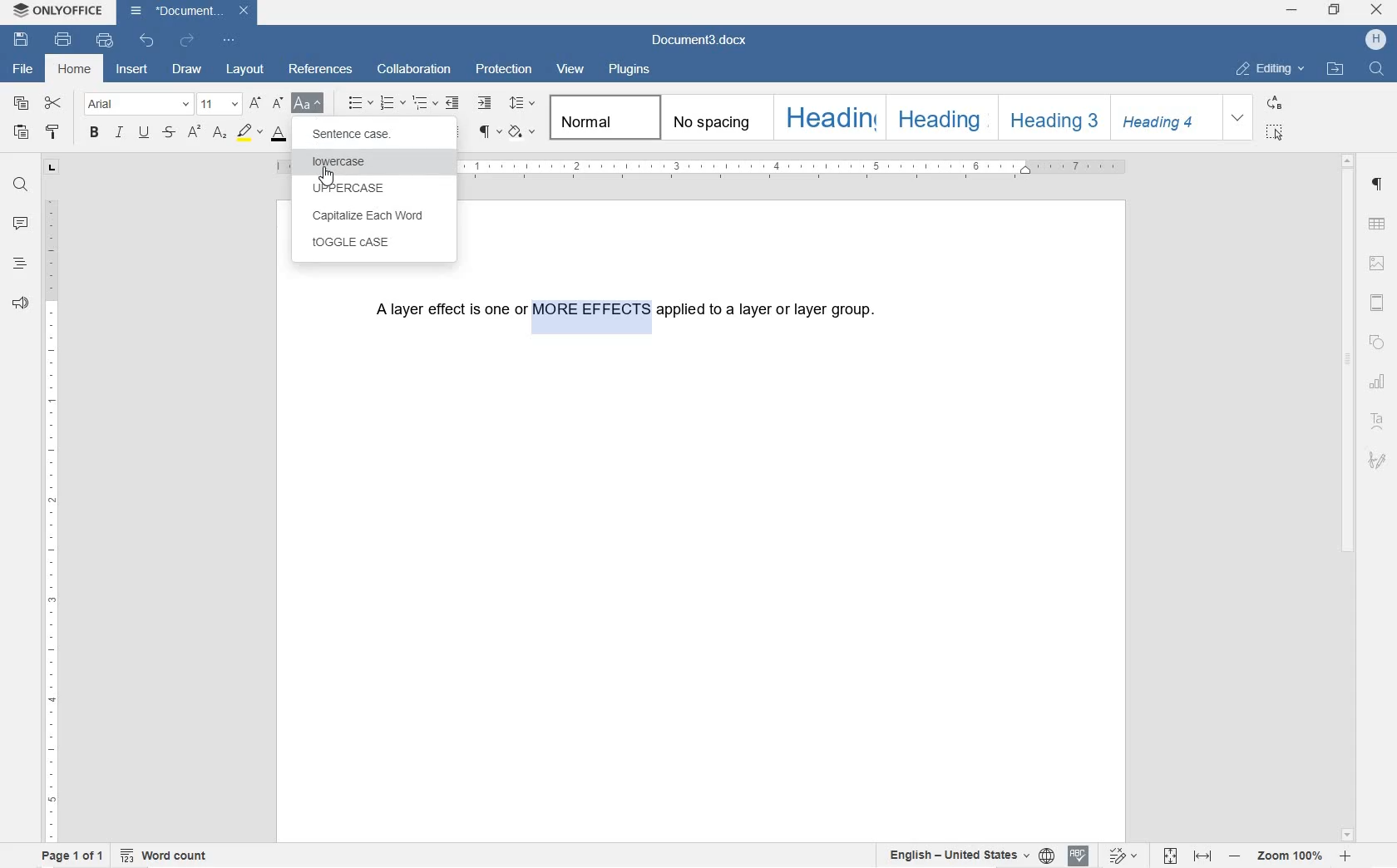 This screenshot has width=1397, height=868. Describe the element at coordinates (51, 167) in the screenshot. I see `TAB` at that location.